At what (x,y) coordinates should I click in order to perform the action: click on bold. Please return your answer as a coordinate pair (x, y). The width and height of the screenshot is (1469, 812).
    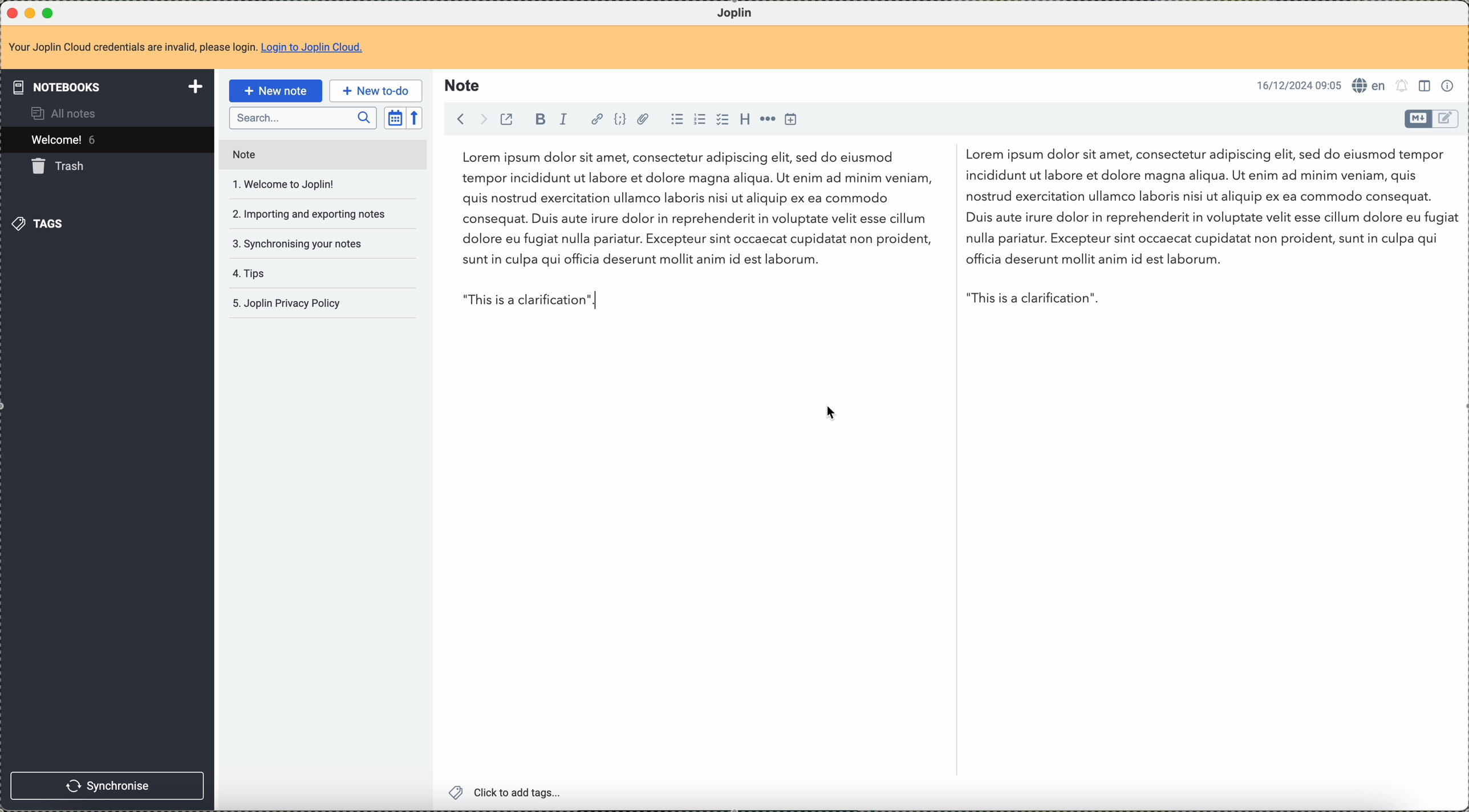
    Looking at the image, I should click on (540, 119).